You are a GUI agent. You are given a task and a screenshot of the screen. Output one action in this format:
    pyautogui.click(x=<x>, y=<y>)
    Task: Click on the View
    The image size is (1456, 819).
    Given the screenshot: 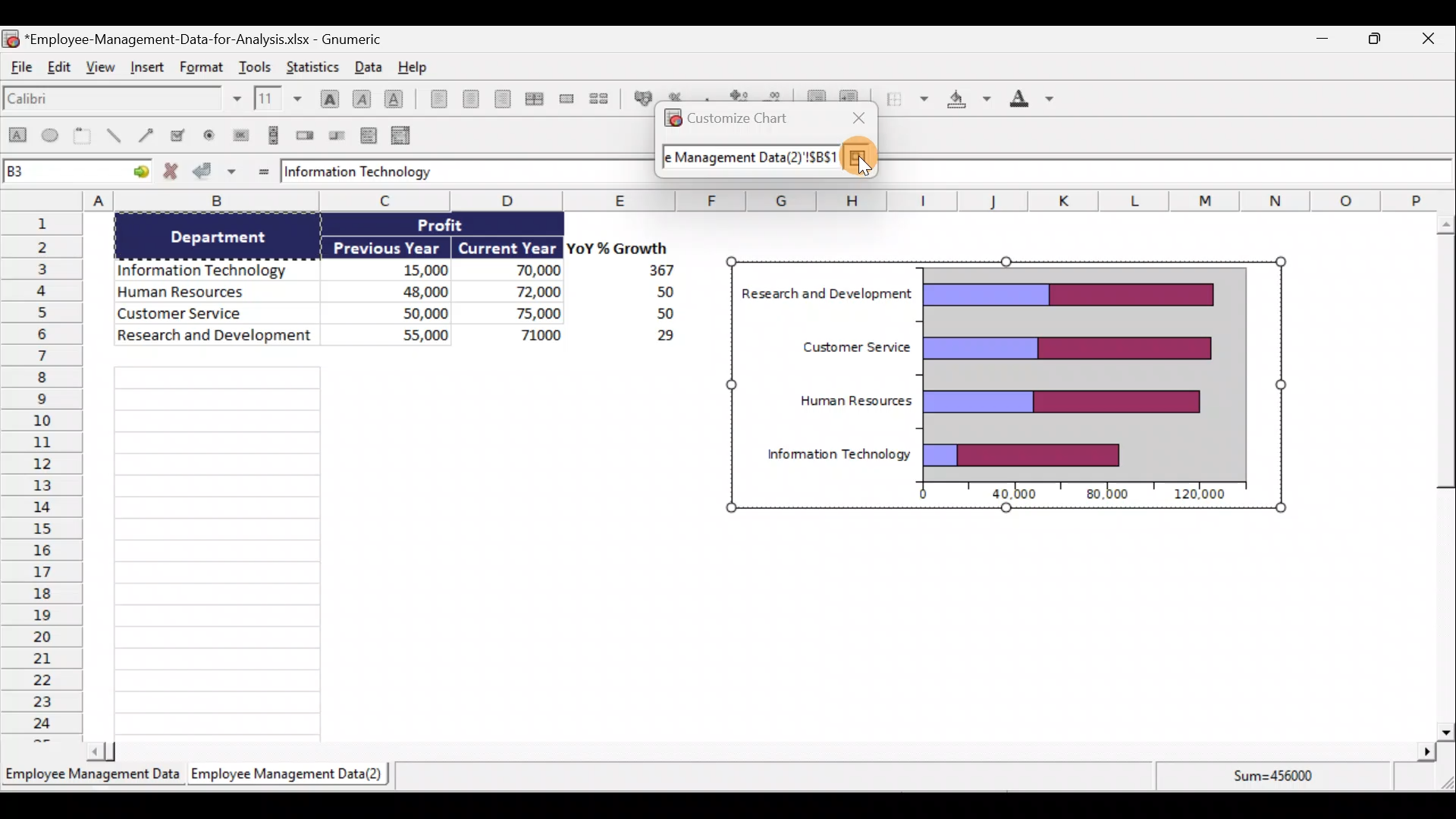 What is the action you would take?
    pyautogui.click(x=102, y=73)
    